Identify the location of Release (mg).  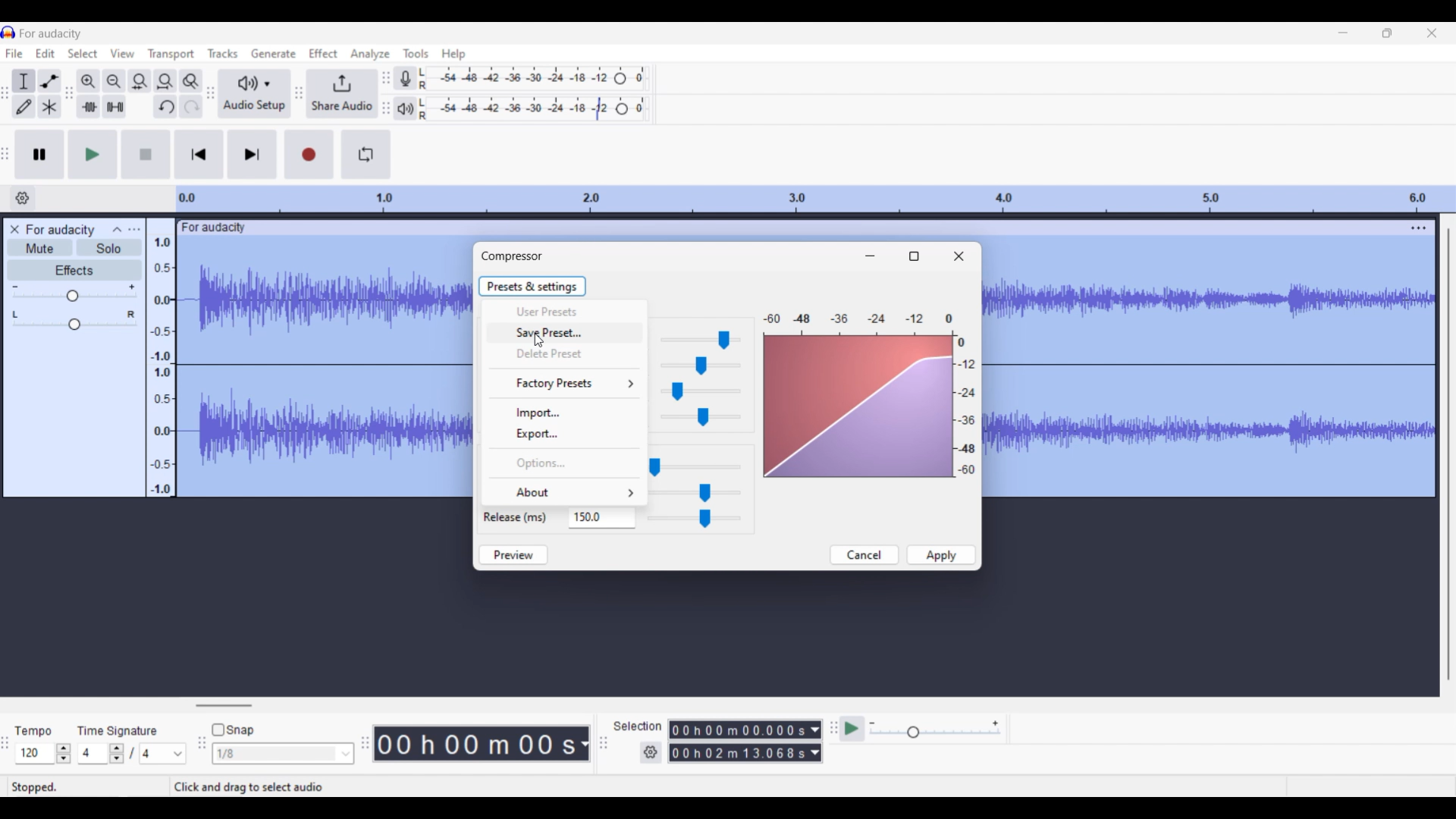
(524, 516).